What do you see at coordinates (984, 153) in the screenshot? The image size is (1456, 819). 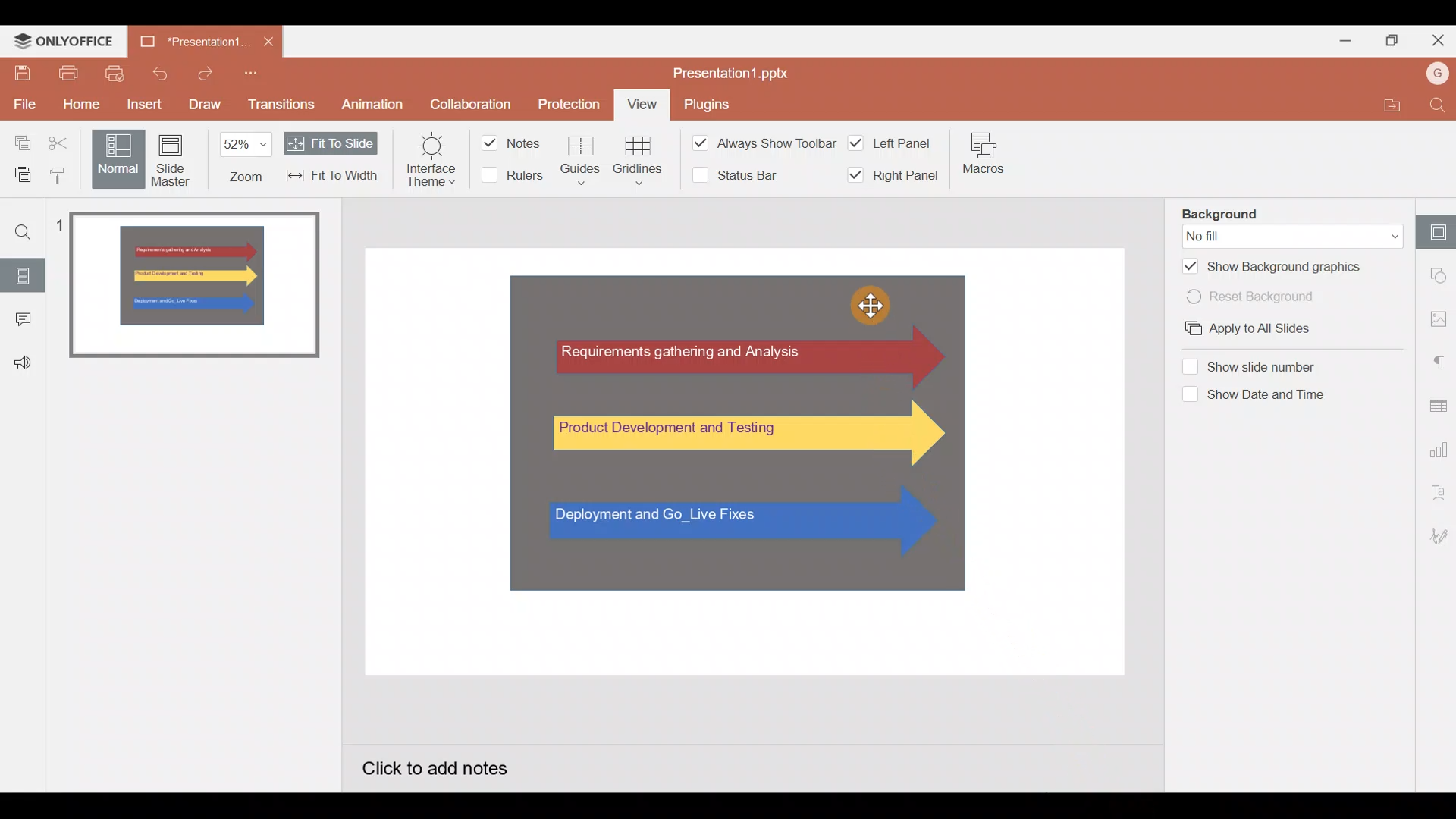 I see `Macros` at bounding box center [984, 153].